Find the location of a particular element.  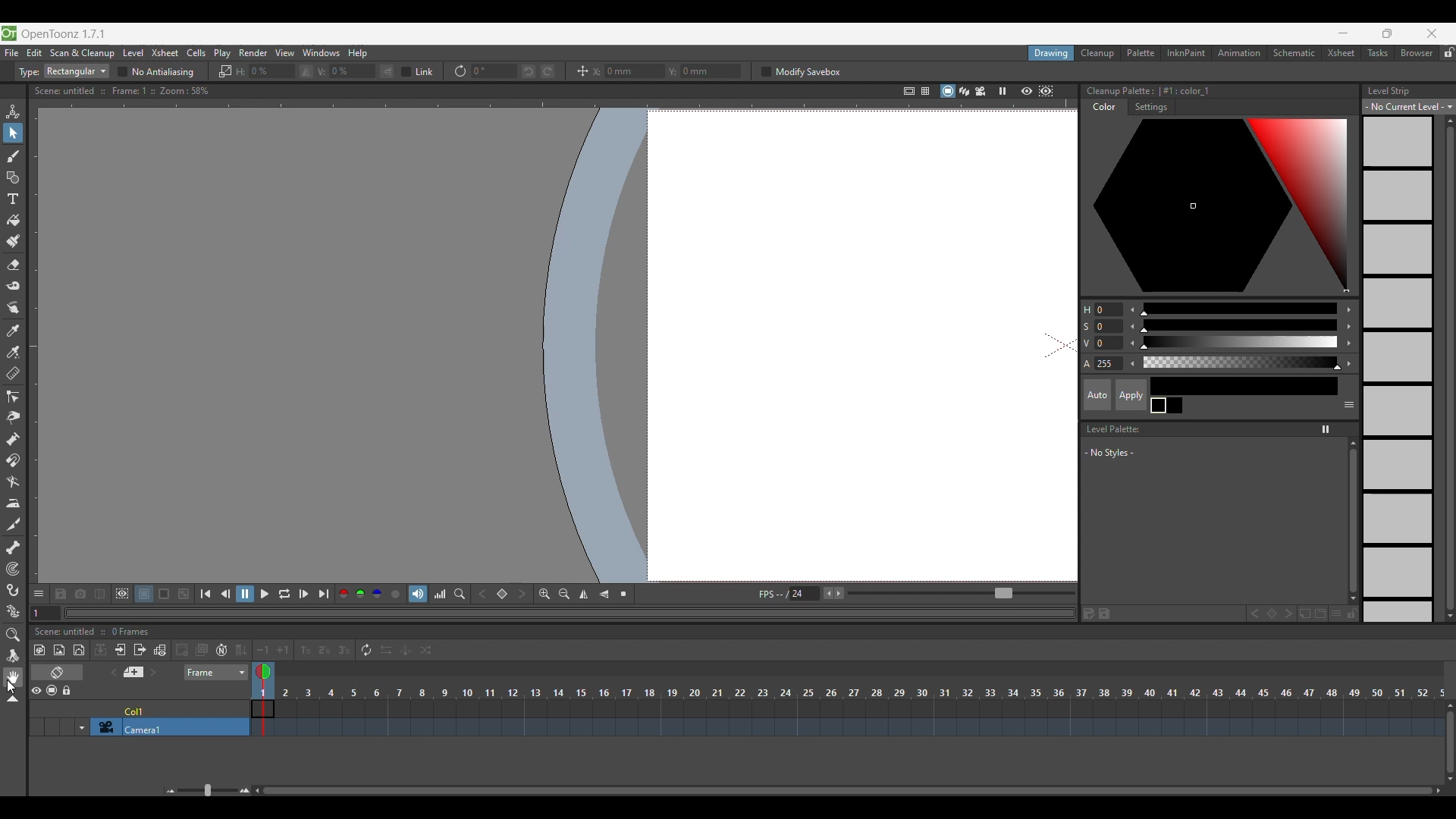

File is located at coordinates (11, 53).